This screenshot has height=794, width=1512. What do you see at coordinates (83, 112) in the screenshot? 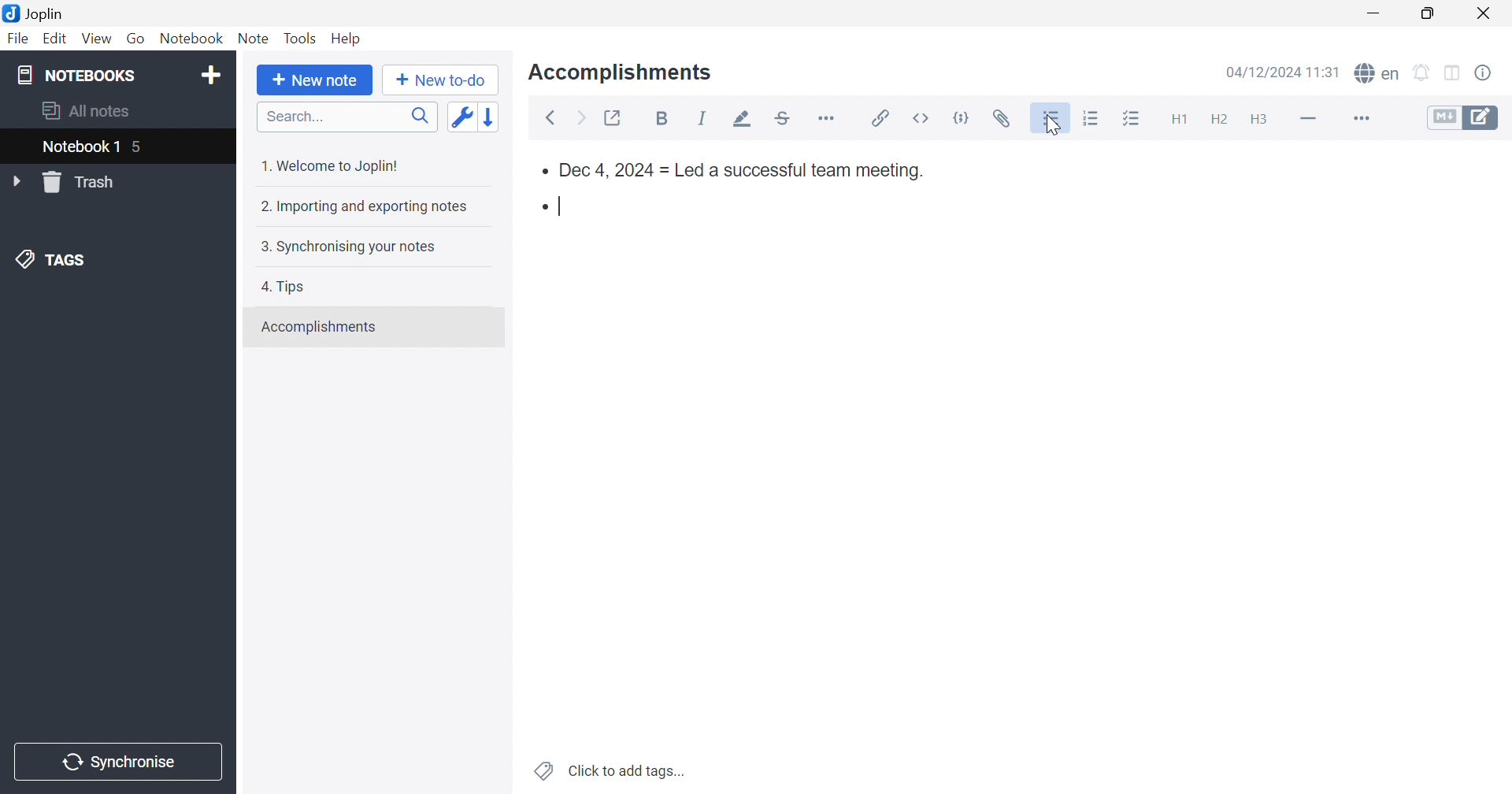
I see `All notes` at bounding box center [83, 112].